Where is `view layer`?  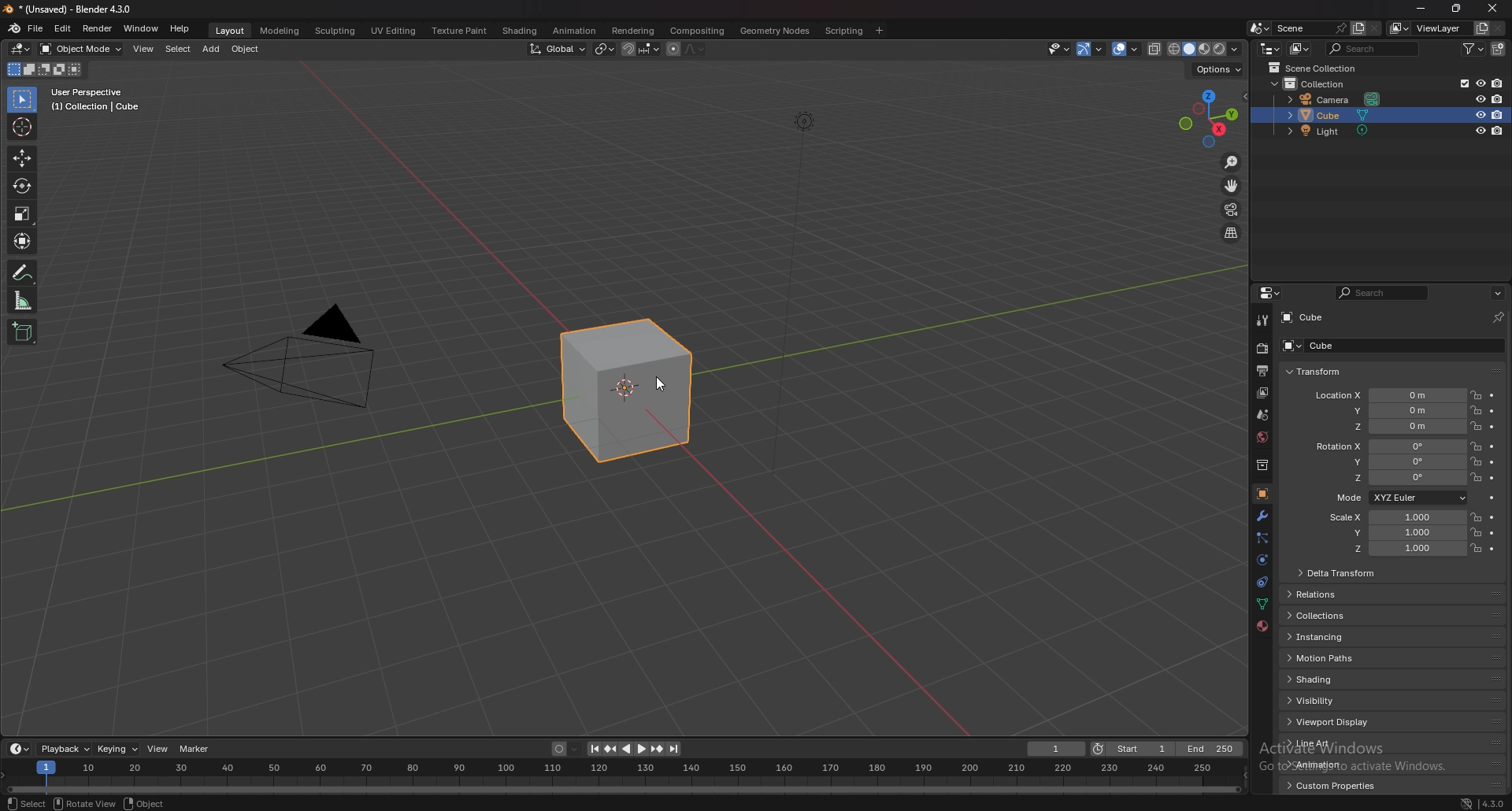 view layer is located at coordinates (1428, 28).